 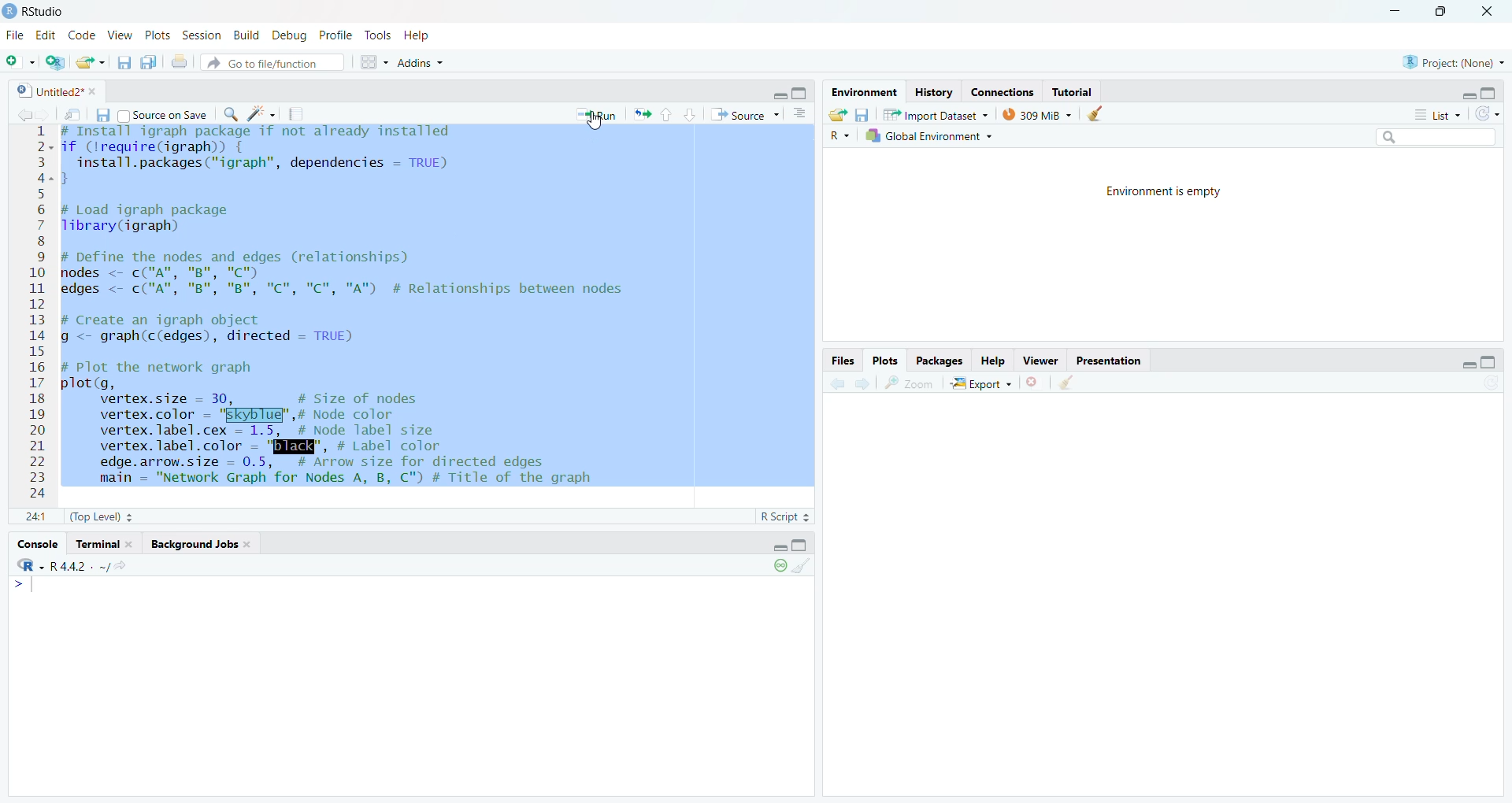 I want to click on Code, so click(x=83, y=35).